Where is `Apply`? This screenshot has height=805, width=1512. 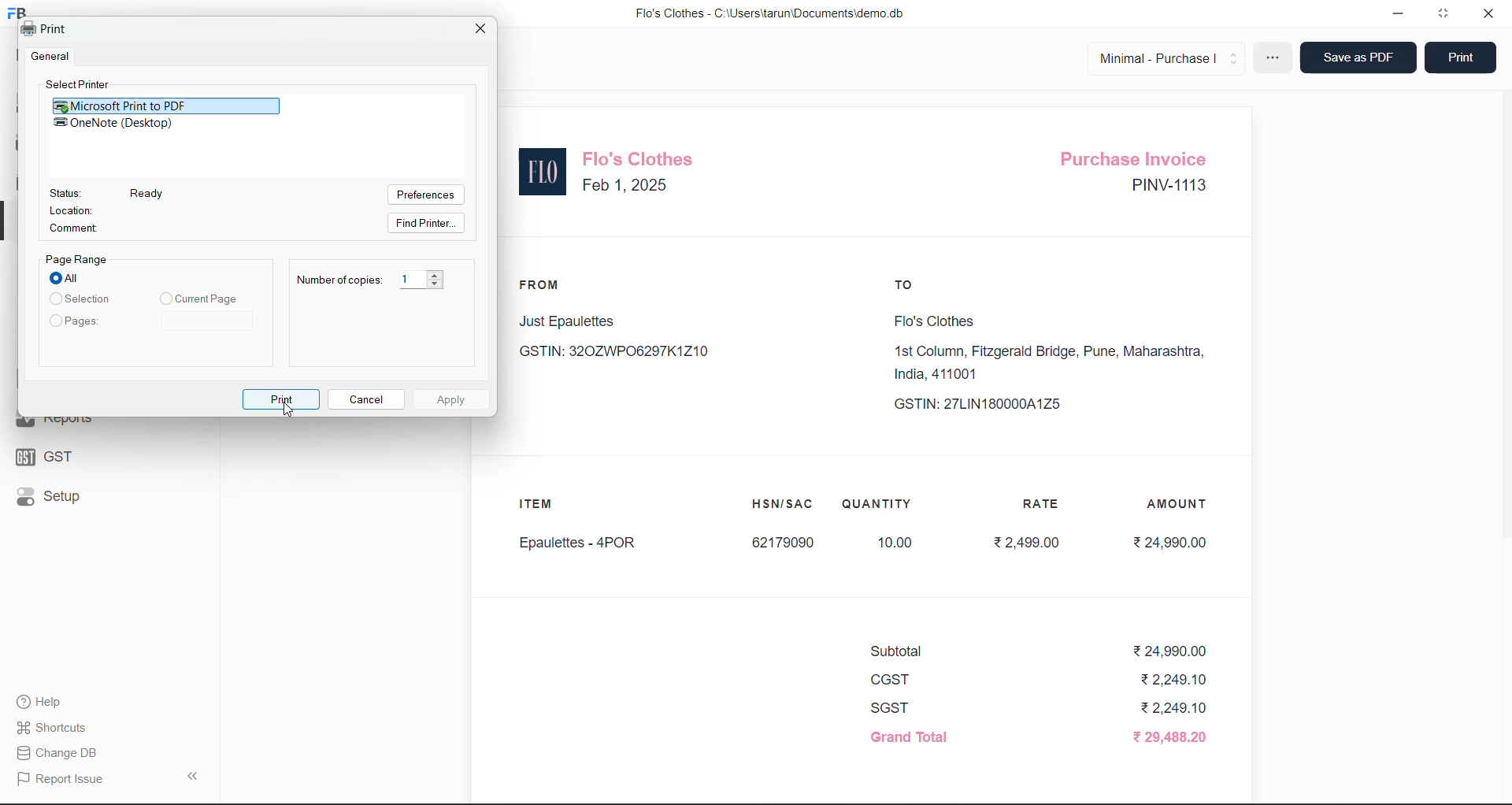 Apply is located at coordinates (450, 401).